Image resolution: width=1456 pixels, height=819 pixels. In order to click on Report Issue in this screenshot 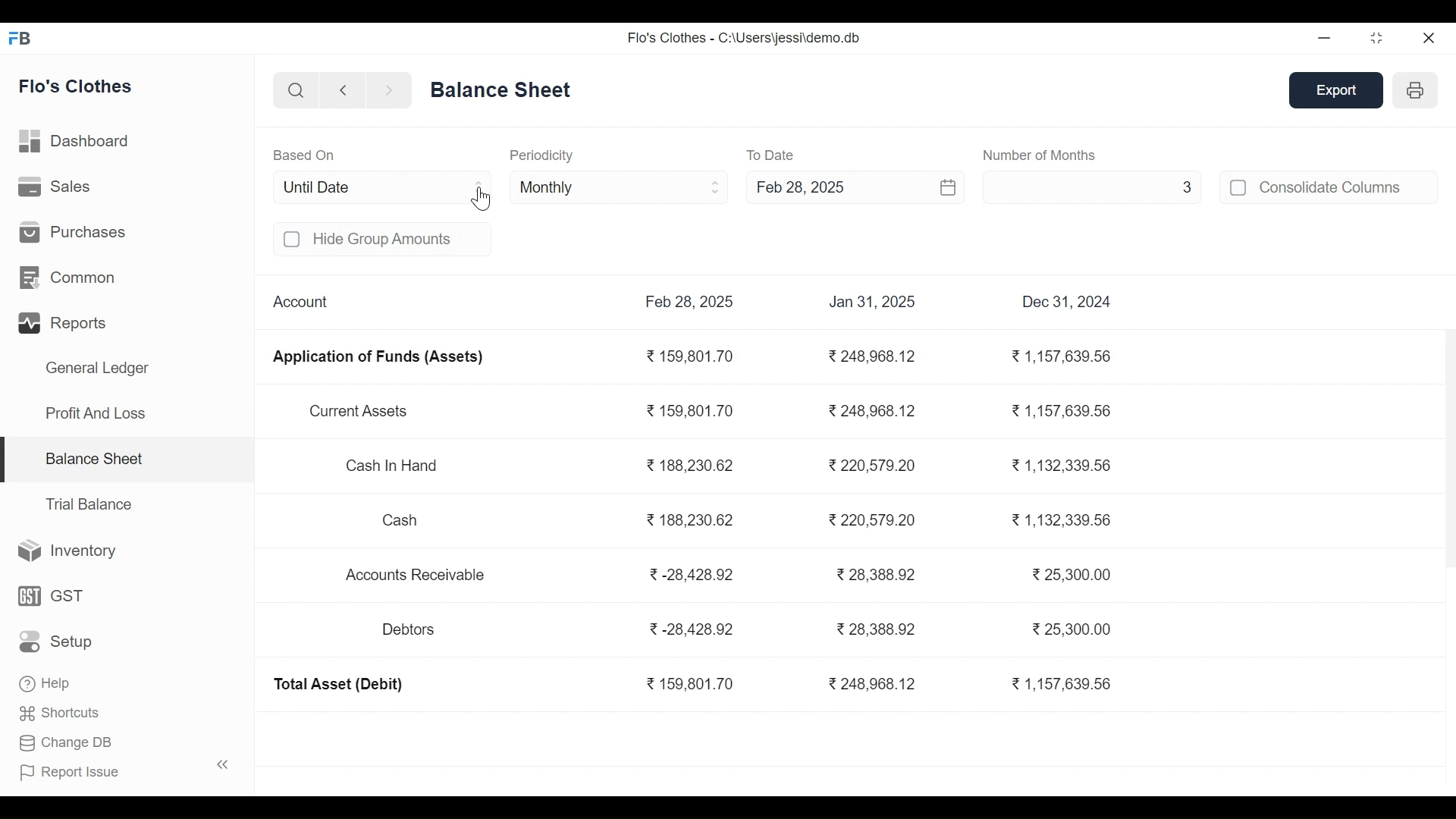, I will do `click(71, 770)`.